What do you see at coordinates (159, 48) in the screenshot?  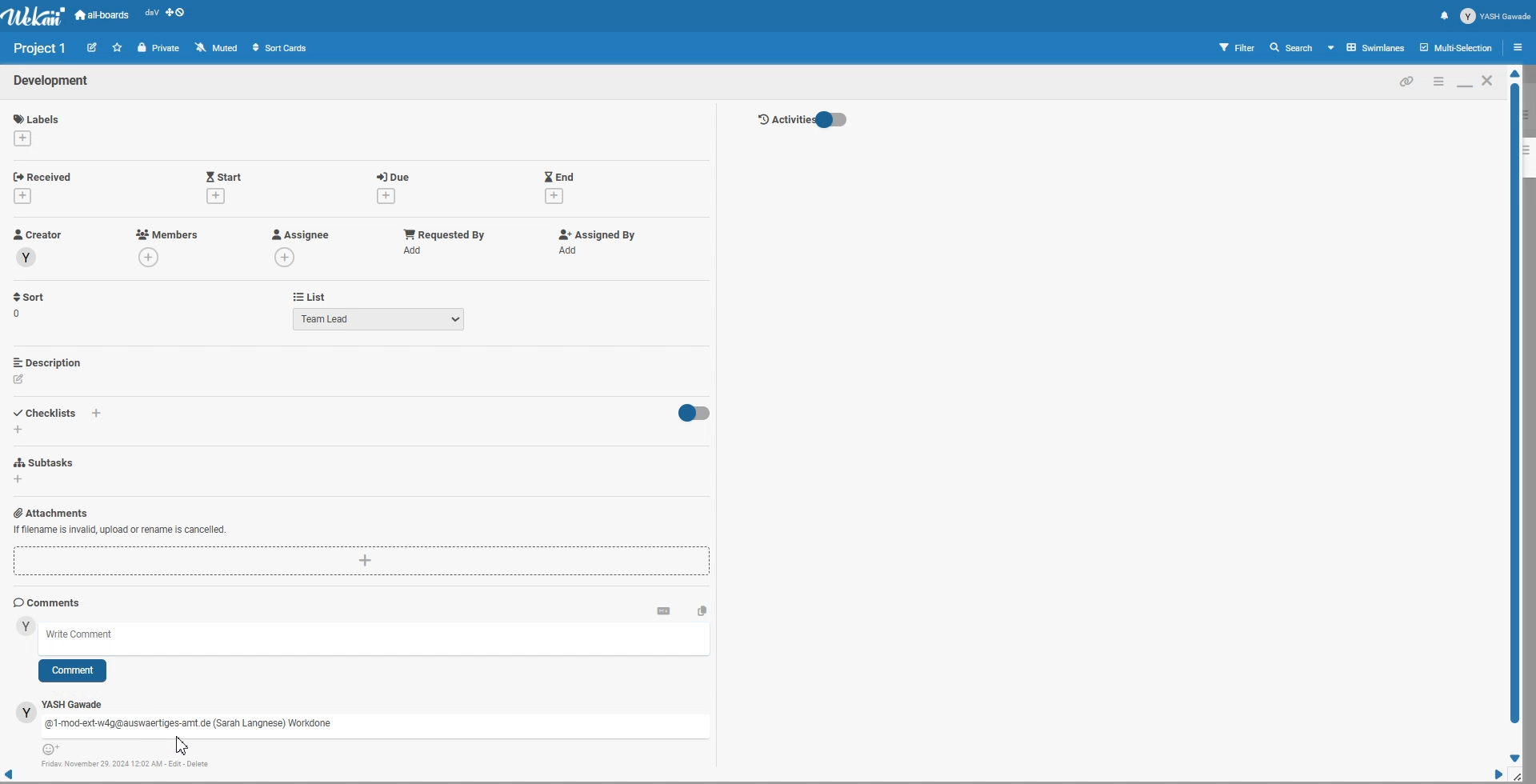 I see `Private` at bounding box center [159, 48].